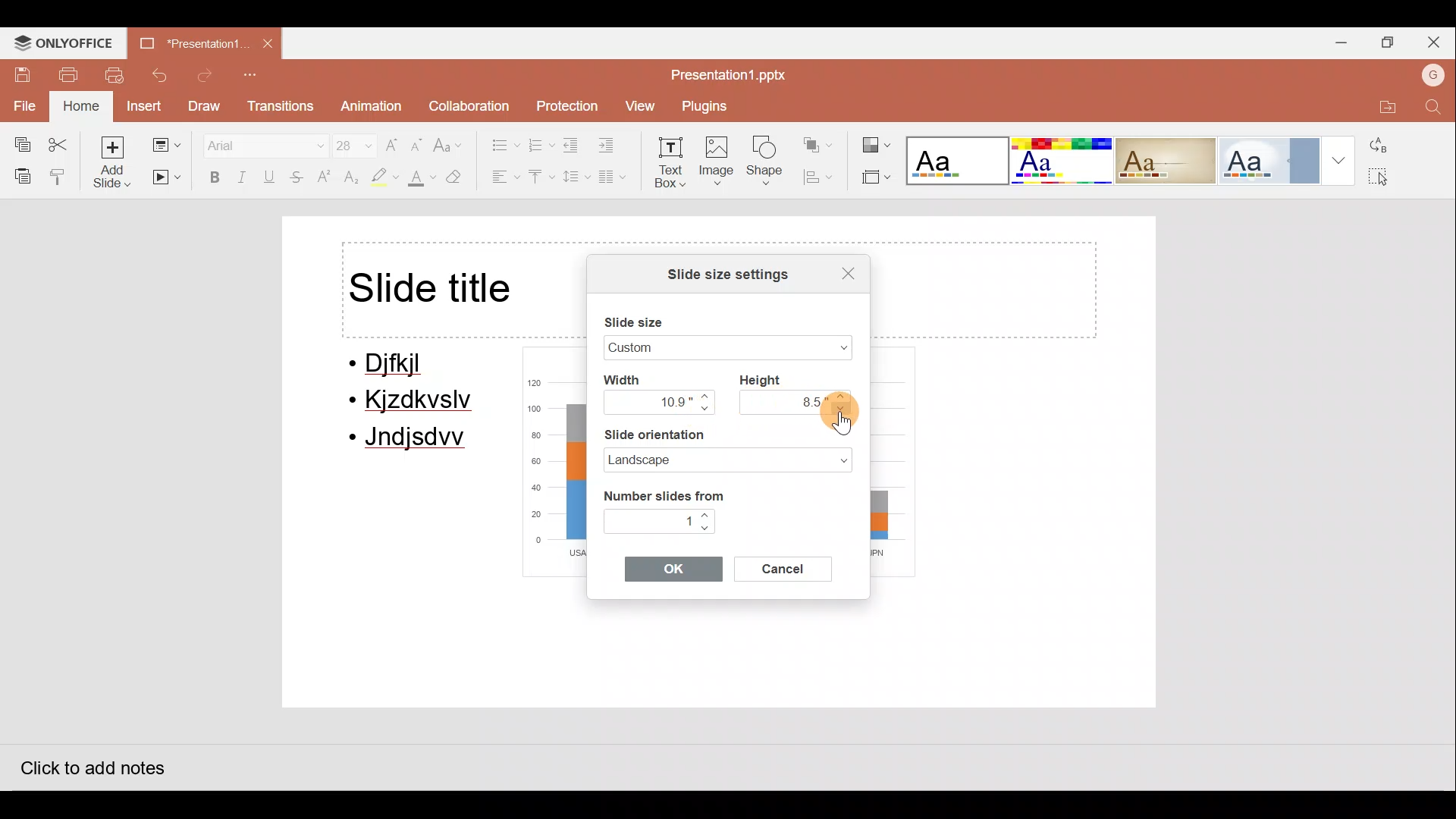 This screenshot has height=819, width=1456. Describe the element at coordinates (843, 419) in the screenshot. I see `Cursor on navigate down` at that location.